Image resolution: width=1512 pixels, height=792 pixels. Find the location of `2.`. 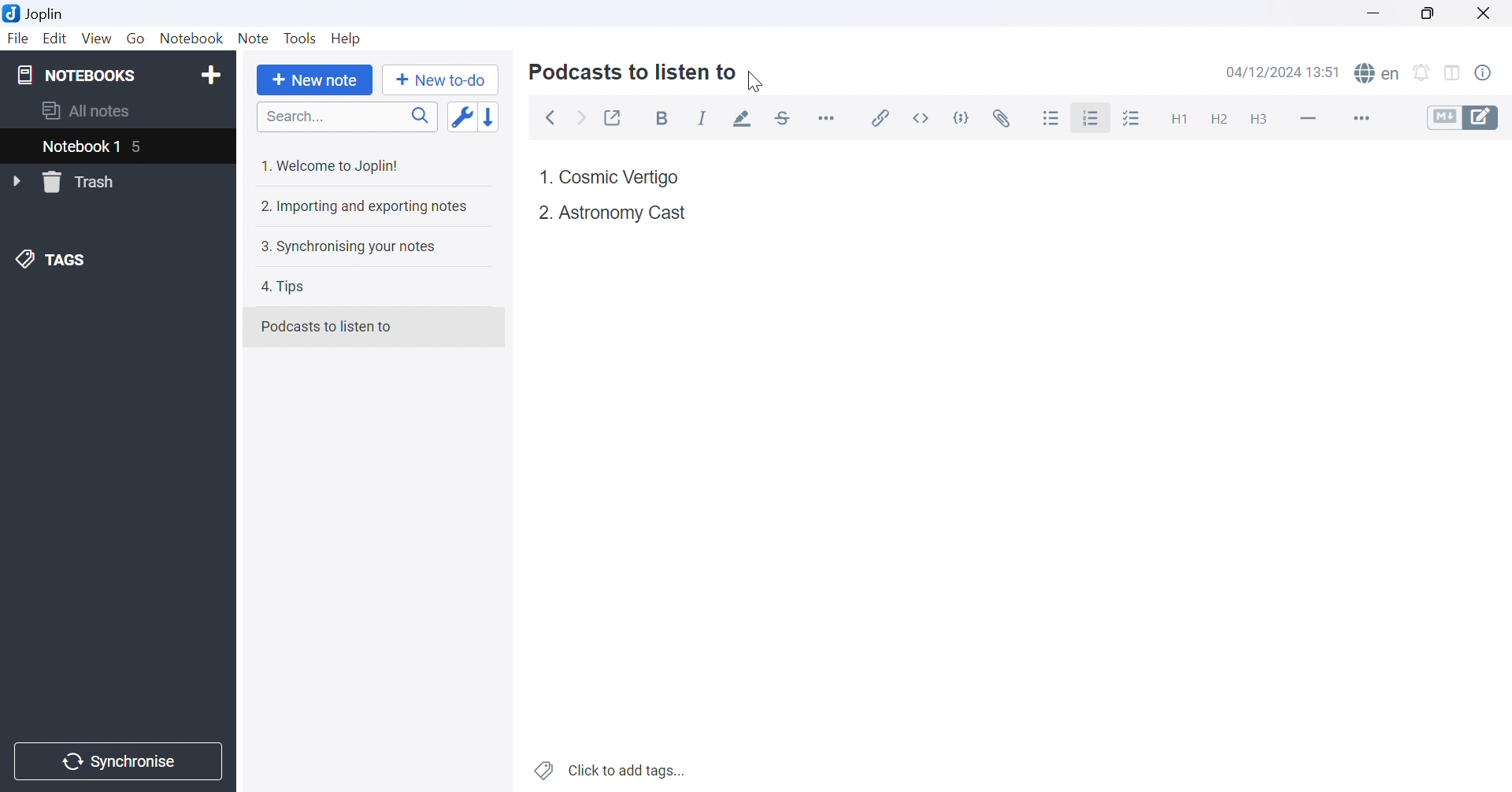

2. is located at coordinates (542, 213).